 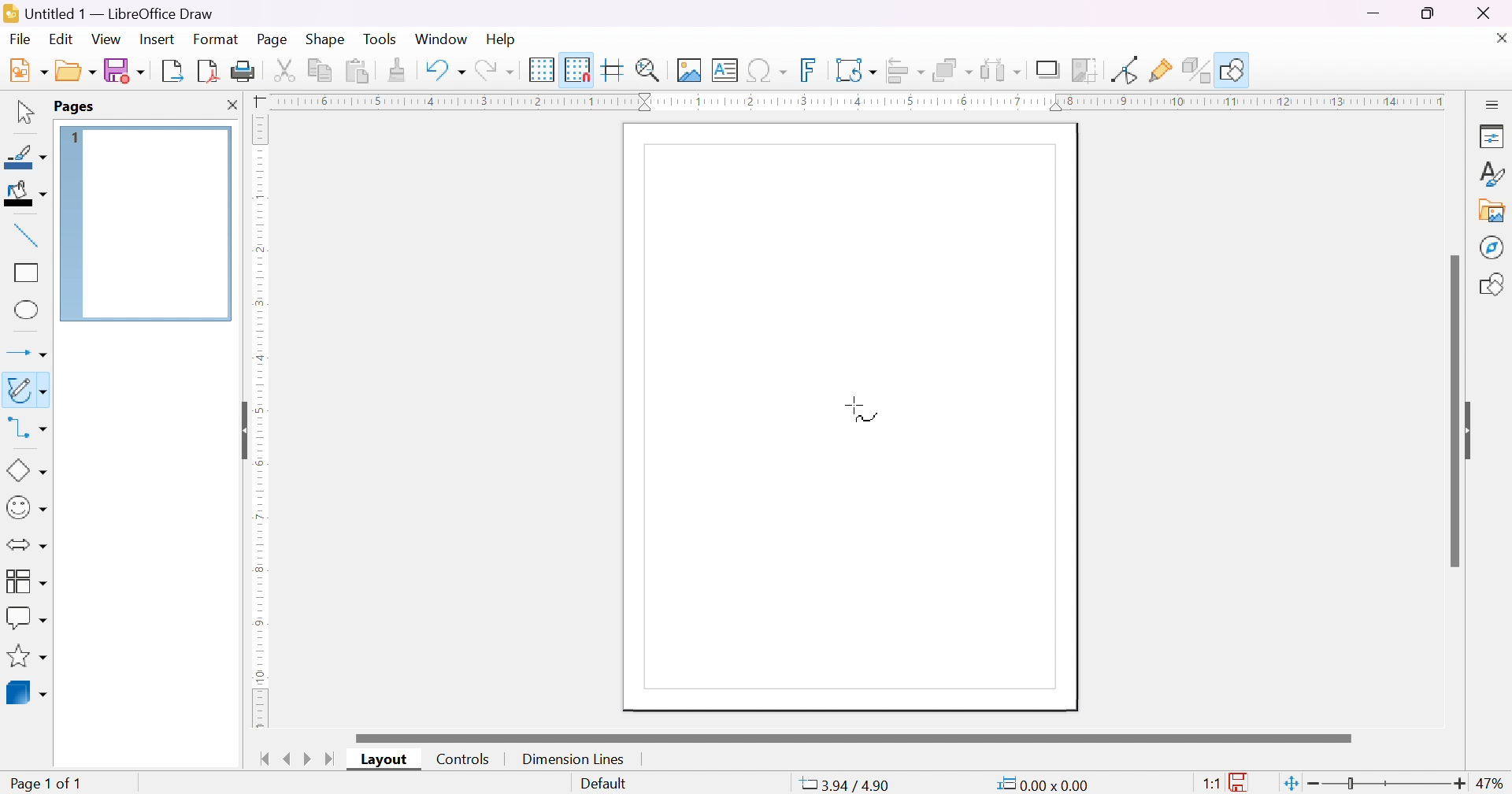 What do you see at coordinates (145, 224) in the screenshot?
I see `page 1` at bounding box center [145, 224].